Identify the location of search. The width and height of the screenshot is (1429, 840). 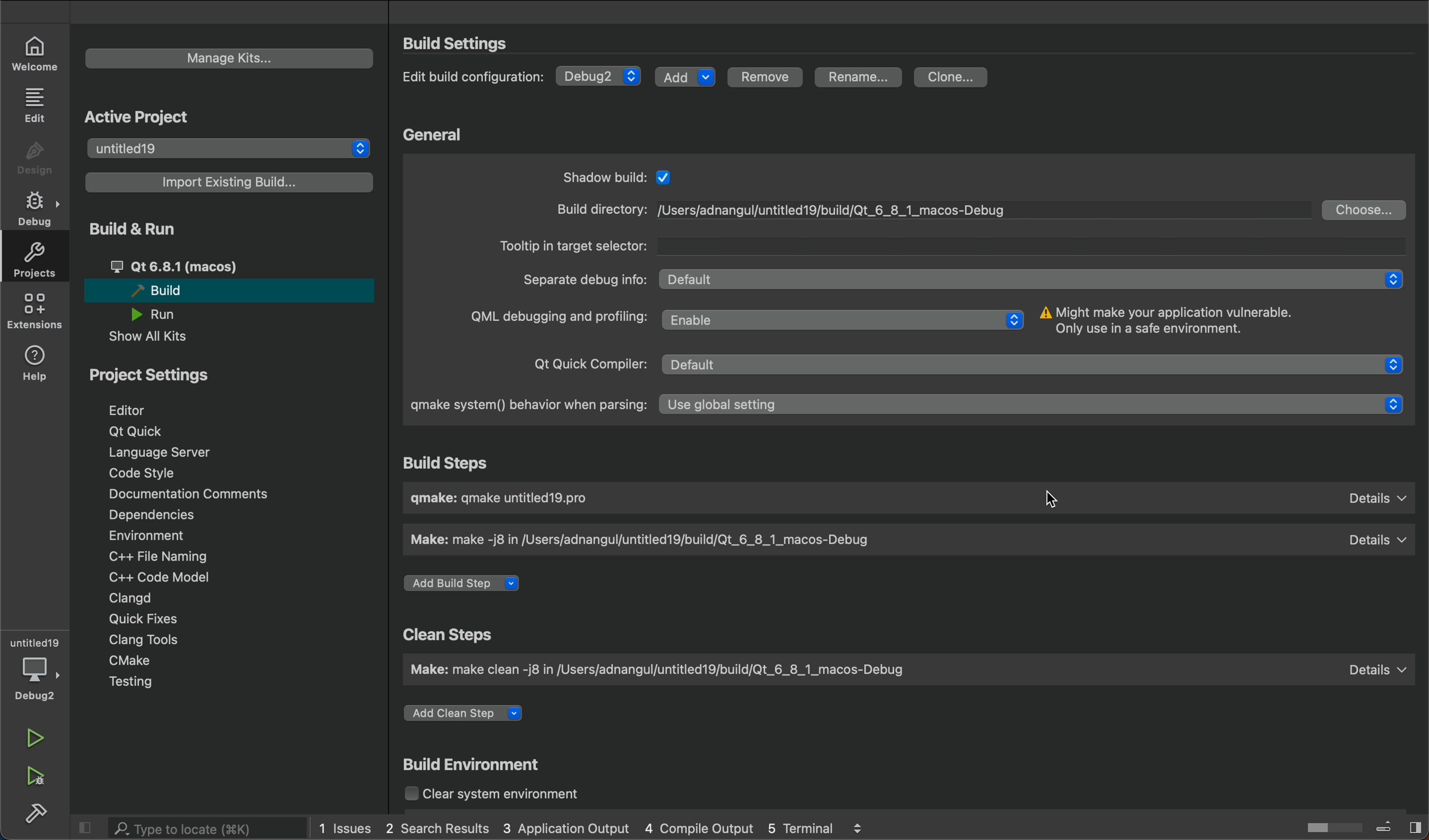
(195, 828).